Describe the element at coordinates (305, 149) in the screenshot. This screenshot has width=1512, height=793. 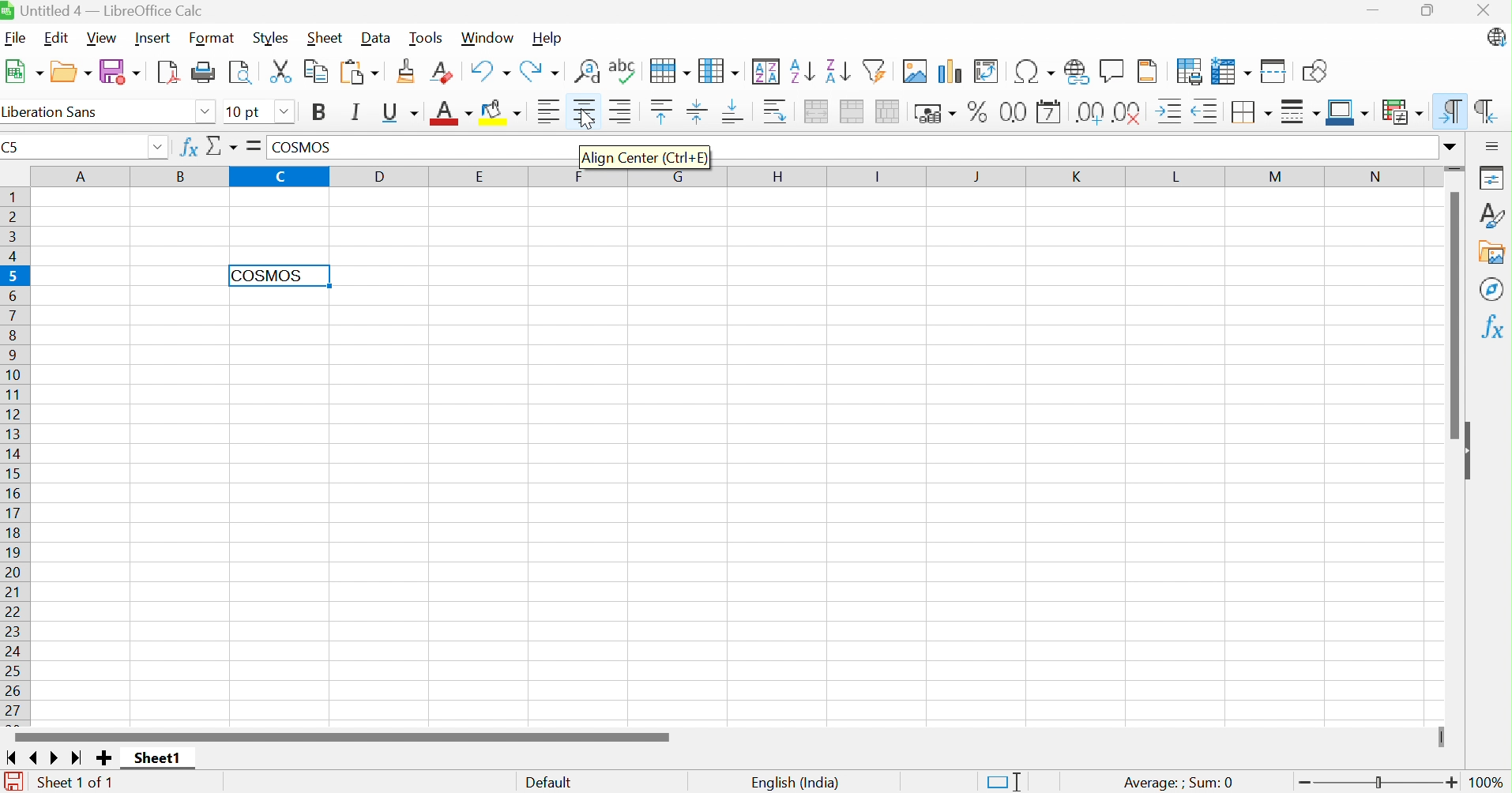
I see `COSMOS` at that location.